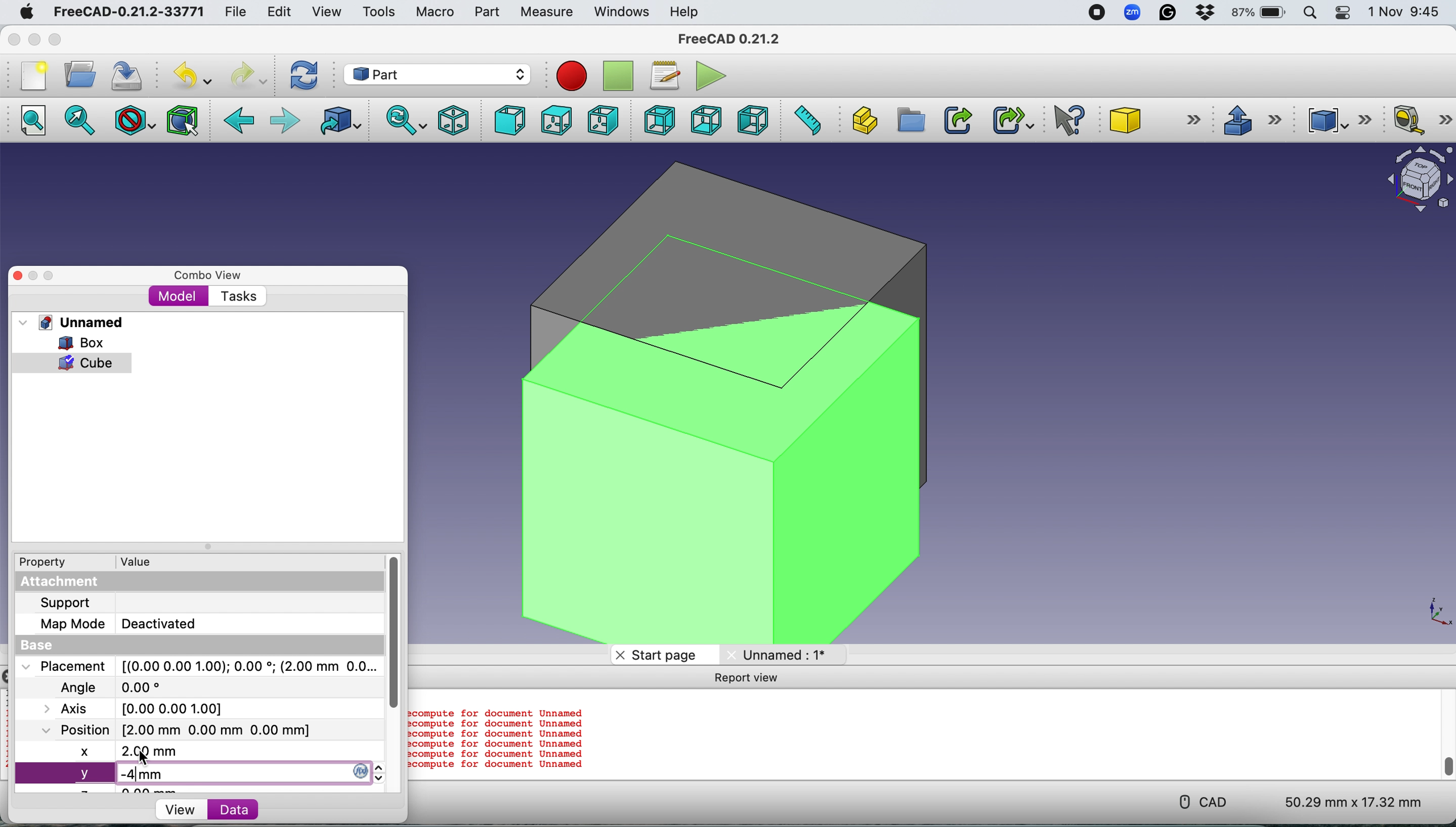 The height and width of the screenshot is (827, 1456). Describe the element at coordinates (51, 276) in the screenshot. I see `Maximise` at that location.